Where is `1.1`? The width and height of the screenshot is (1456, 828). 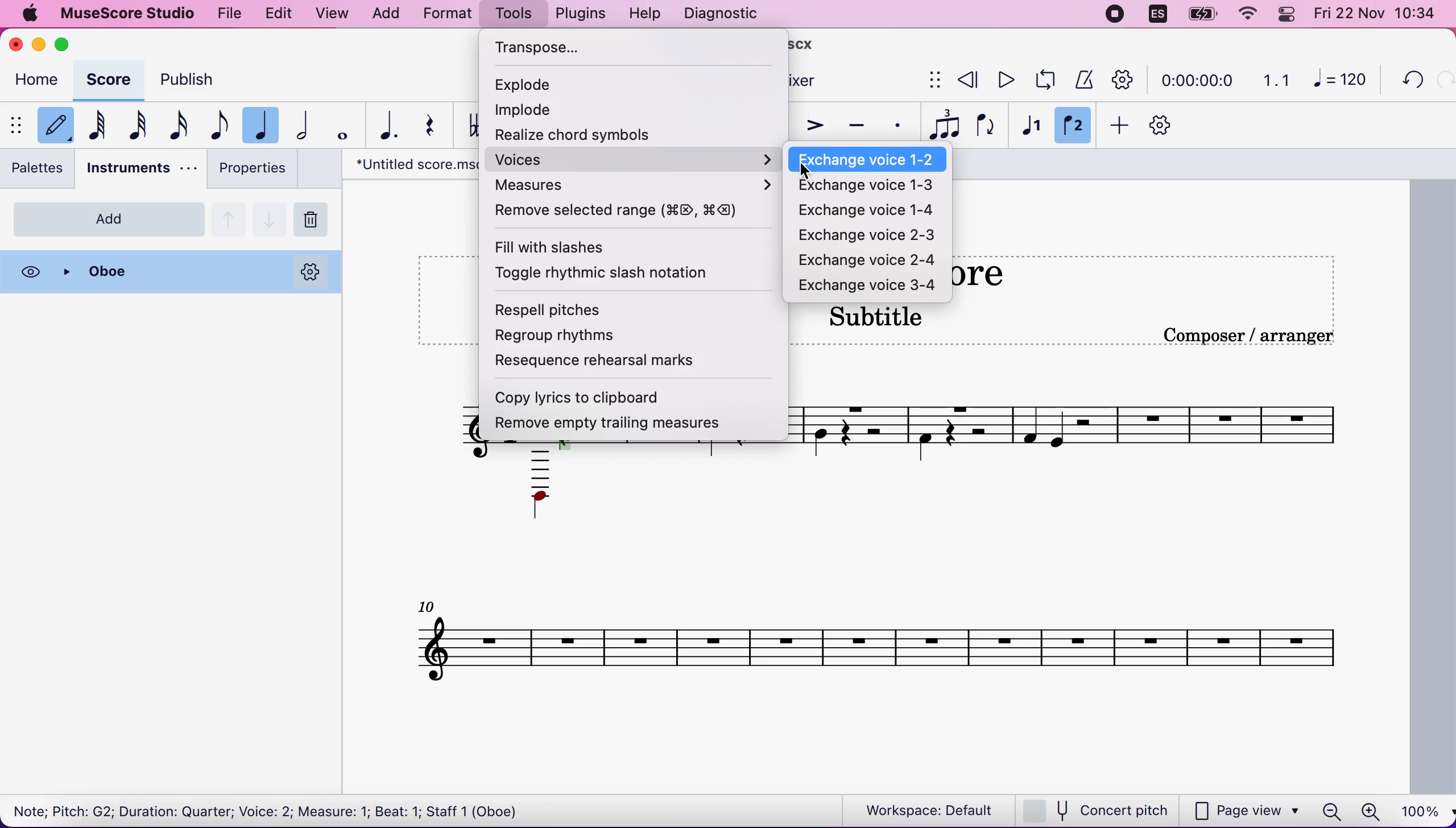 1.1 is located at coordinates (1272, 78).